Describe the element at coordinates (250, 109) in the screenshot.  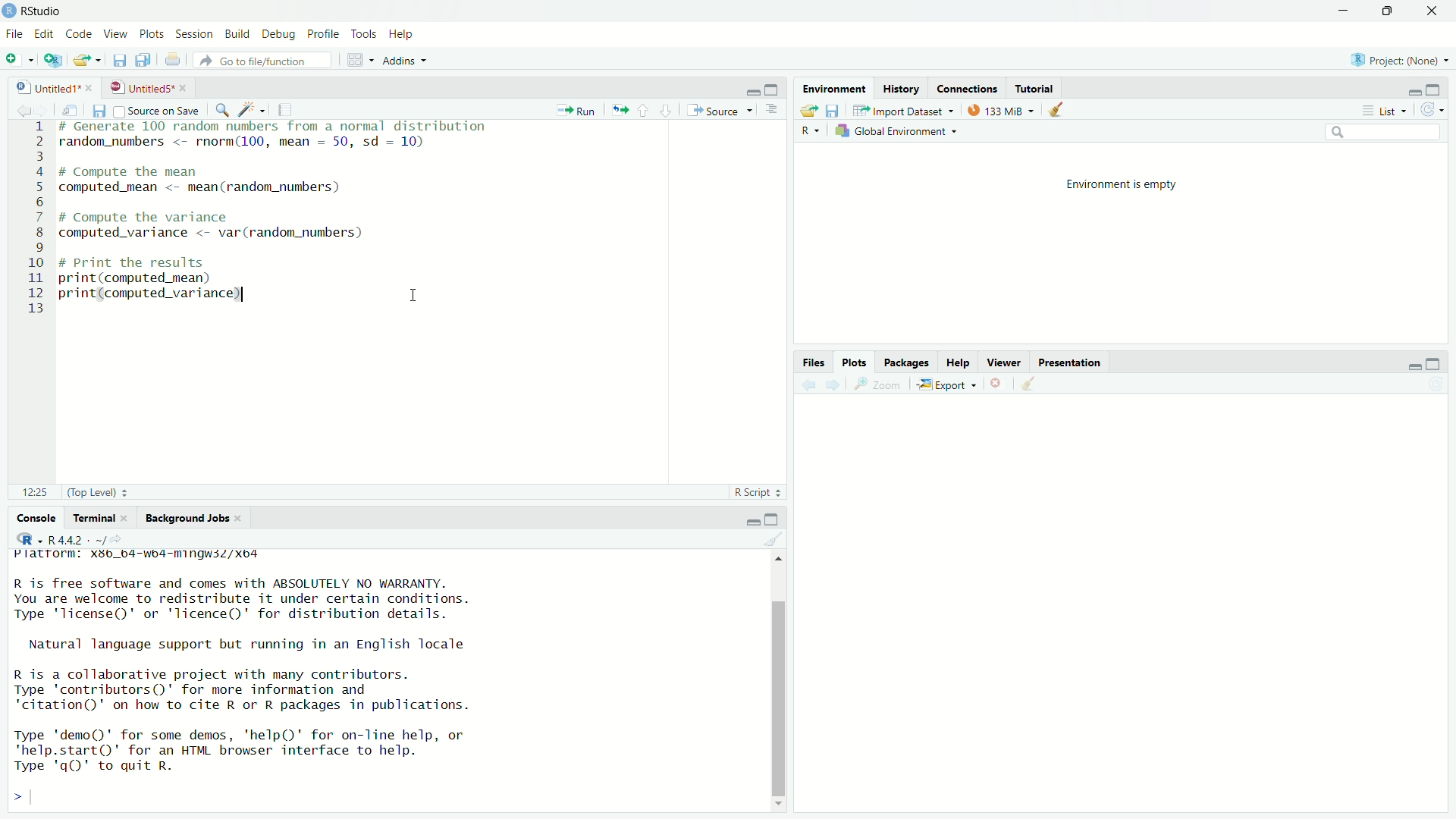
I see `code tools` at that location.